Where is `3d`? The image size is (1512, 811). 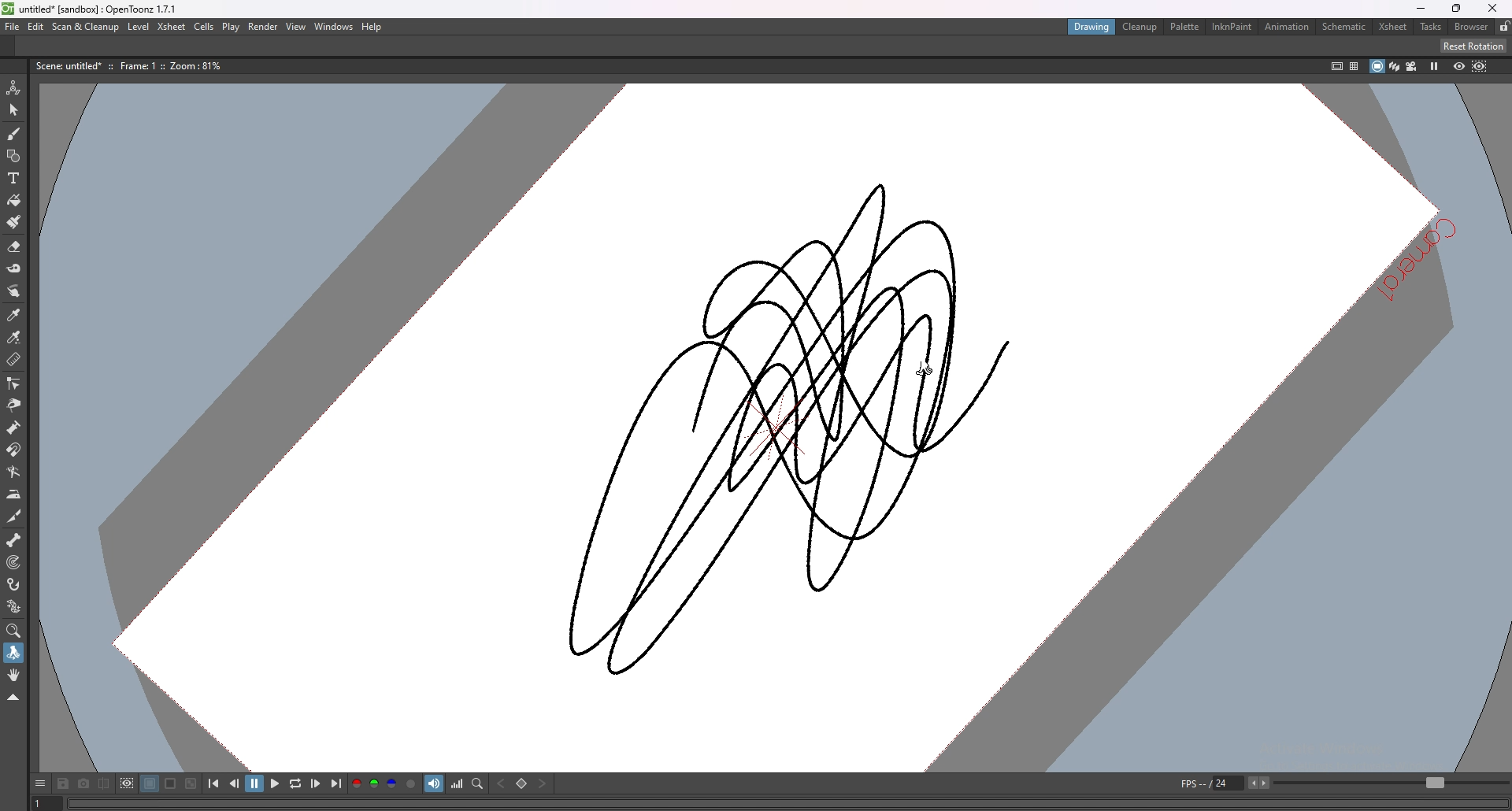 3d is located at coordinates (1395, 66).